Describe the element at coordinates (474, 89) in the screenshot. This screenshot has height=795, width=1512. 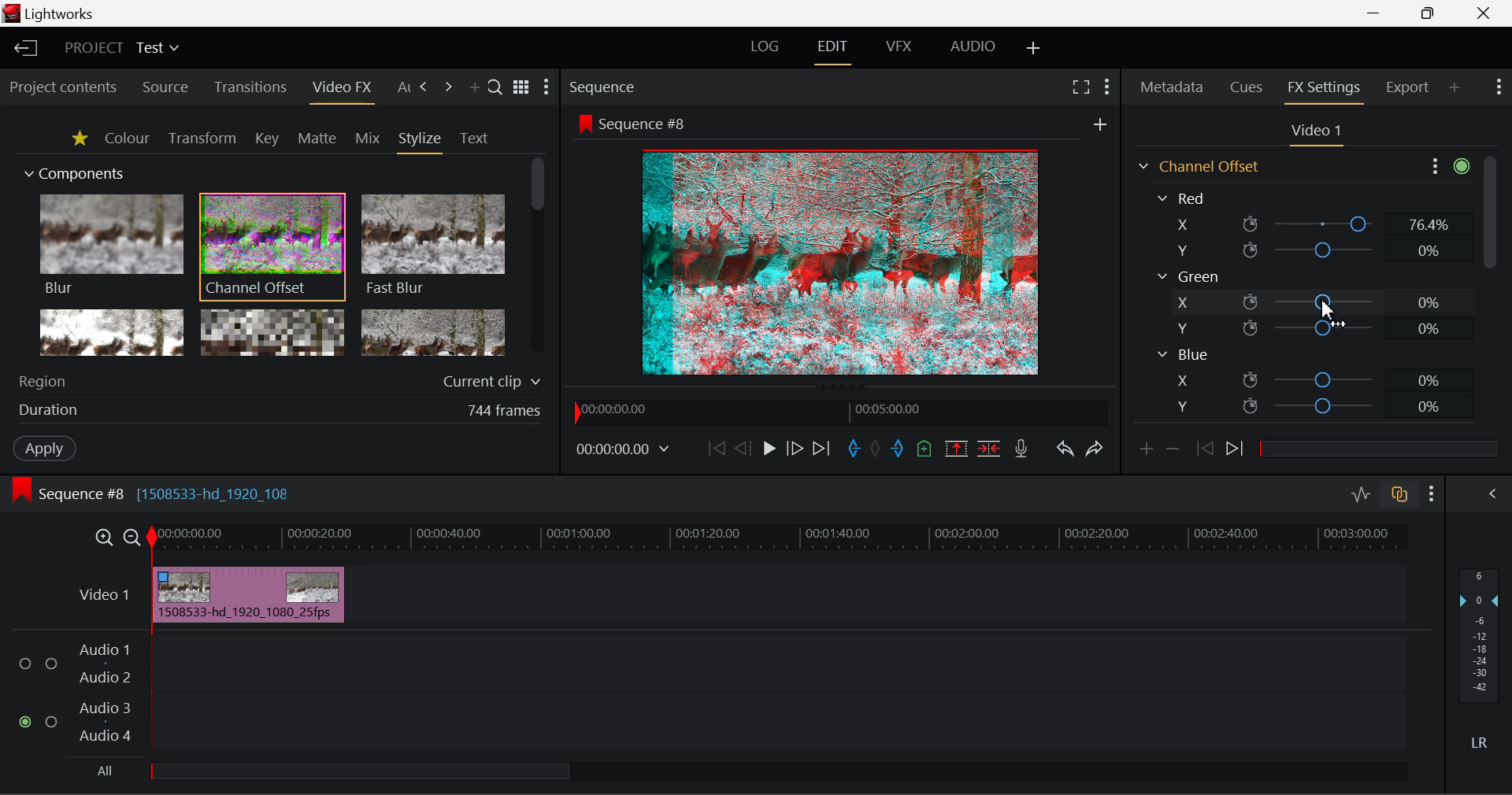
I see `Add Panel` at that location.